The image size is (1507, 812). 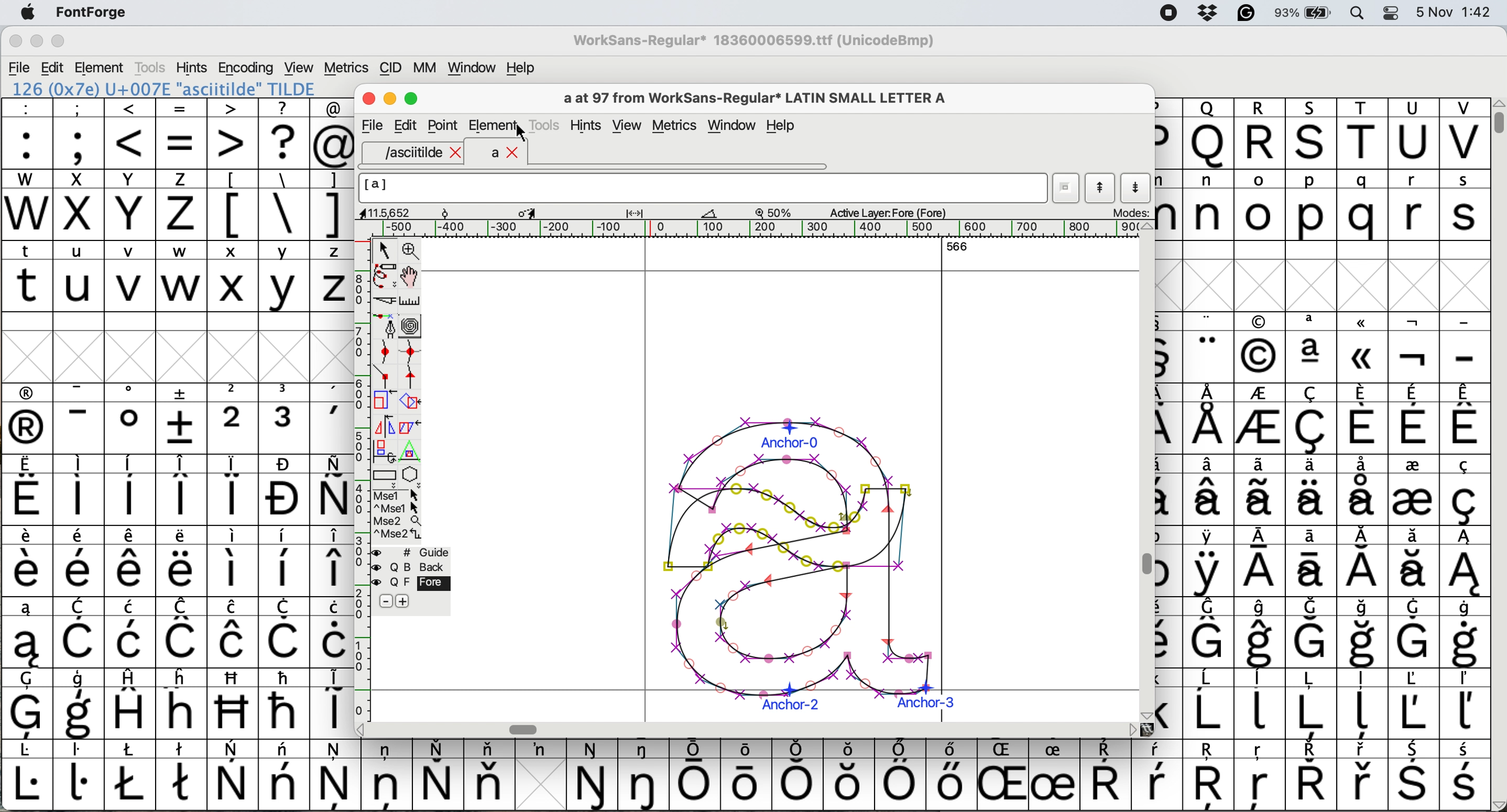 I want to click on WorkSans-Regular 18360006599.ttf (UnicodeBmp), so click(x=754, y=43).